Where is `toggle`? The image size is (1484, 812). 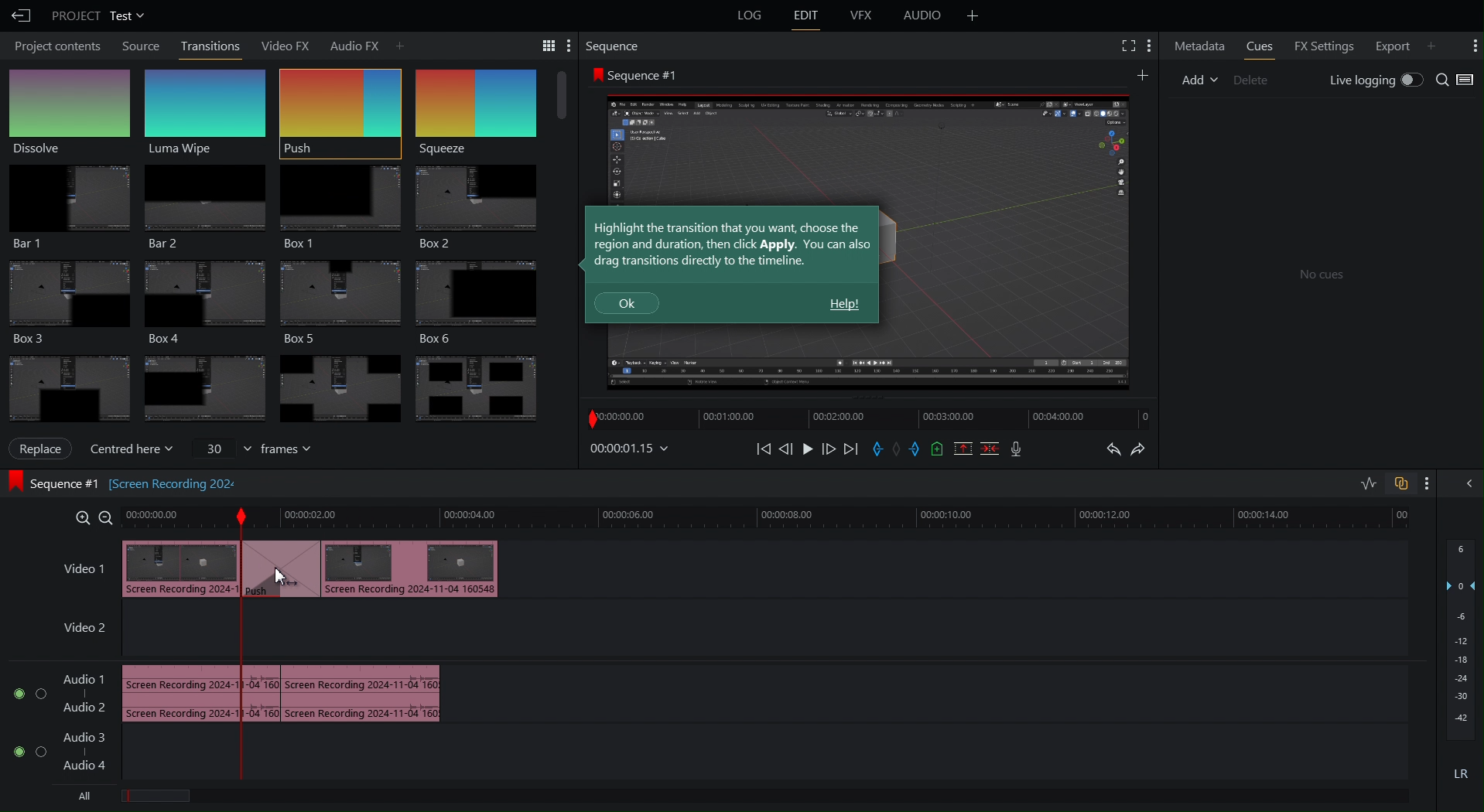 toggle is located at coordinates (13, 750).